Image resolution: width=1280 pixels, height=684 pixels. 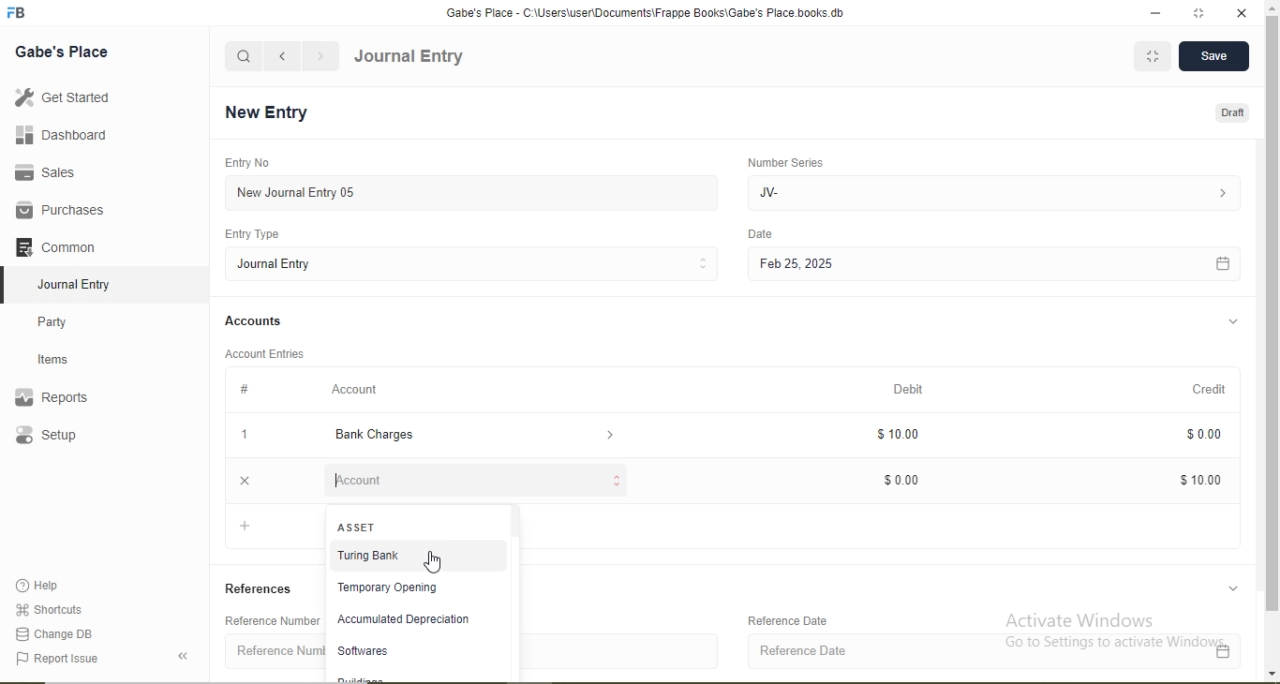 What do you see at coordinates (998, 193) in the screenshot?
I see `JV-` at bounding box center [998, 193].